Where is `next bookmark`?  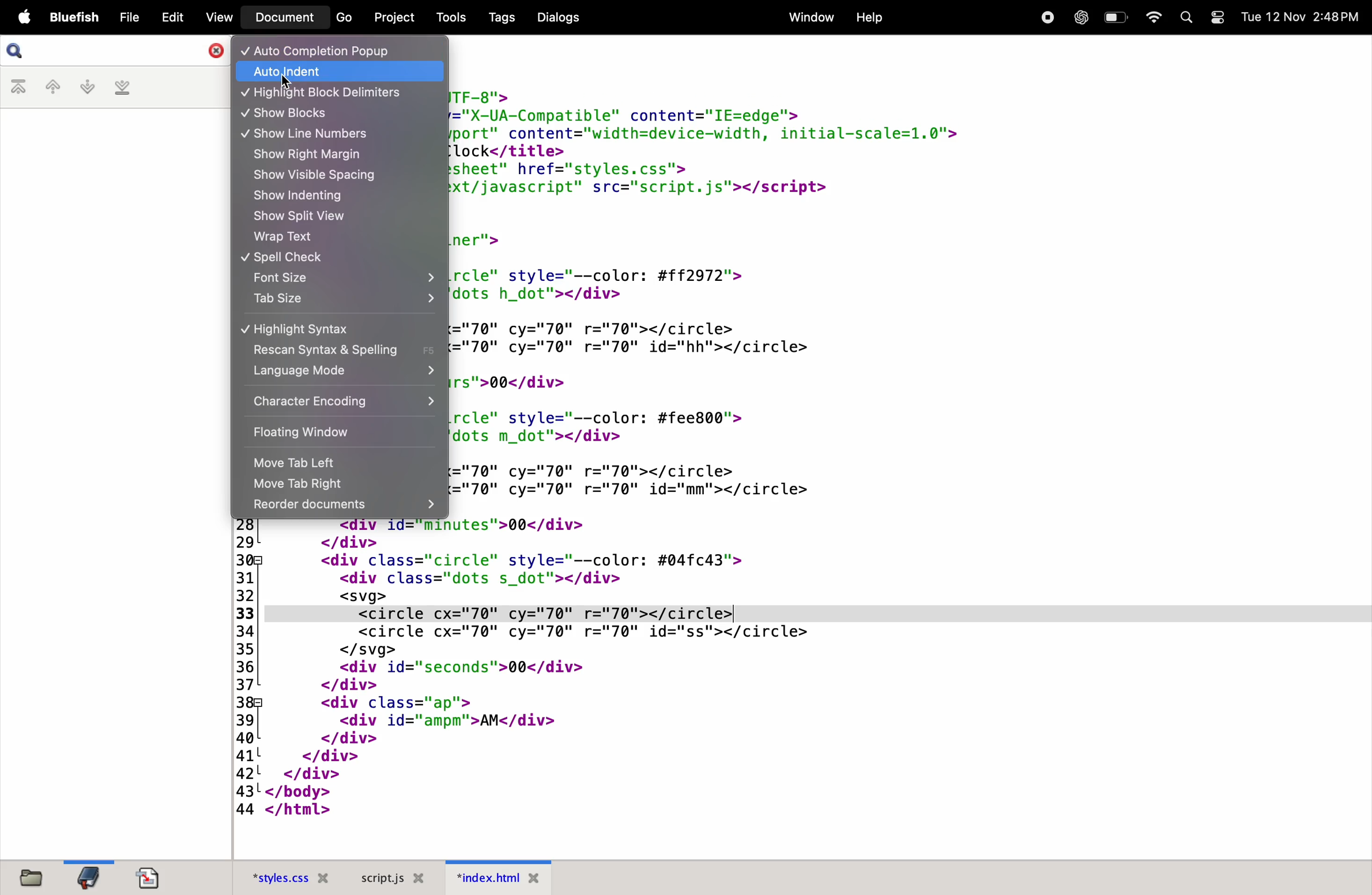
next bookmark is located at coordinates (89, 87).